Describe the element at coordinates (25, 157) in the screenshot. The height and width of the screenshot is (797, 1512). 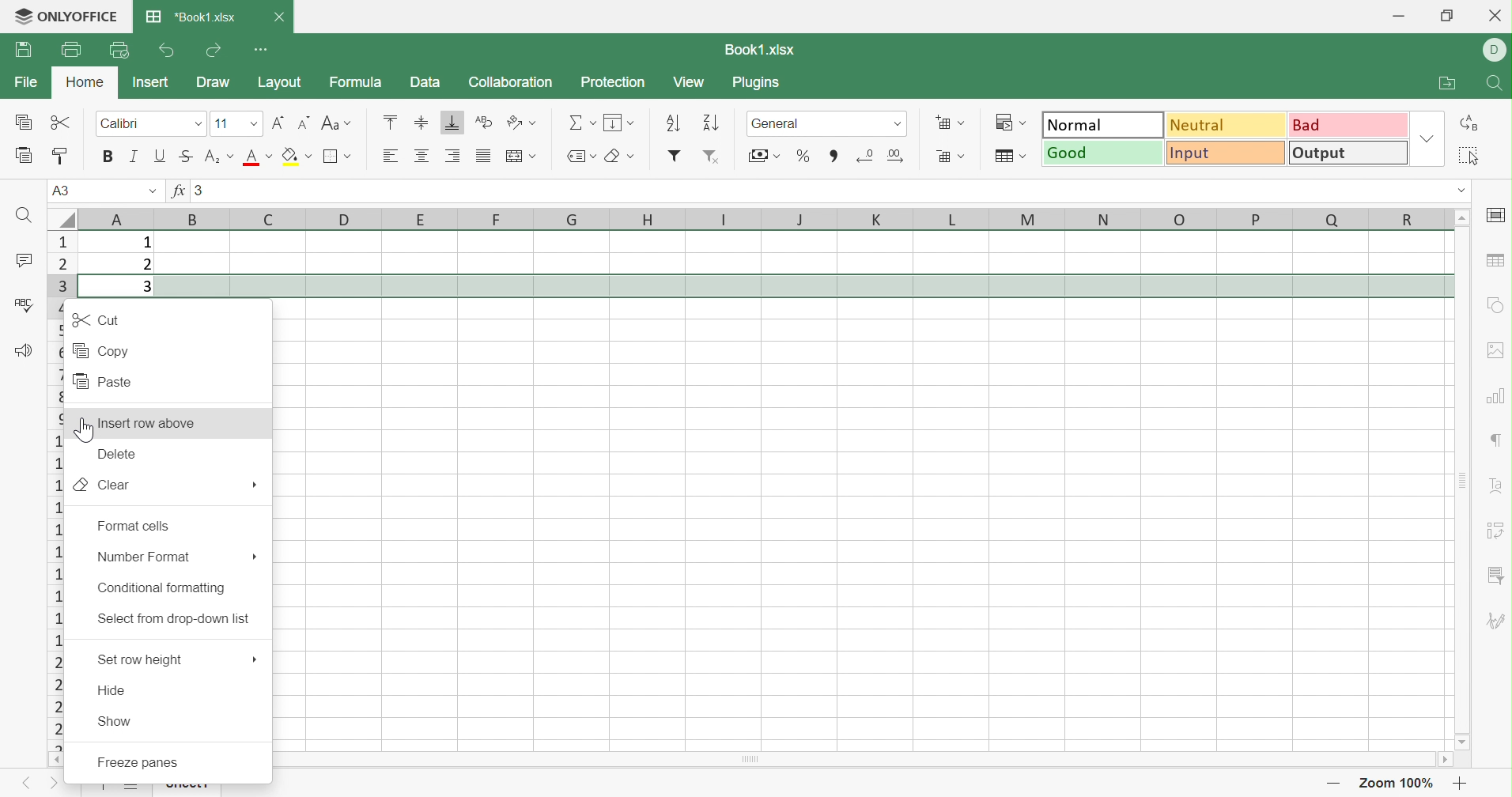
I see `Paste` at that location.